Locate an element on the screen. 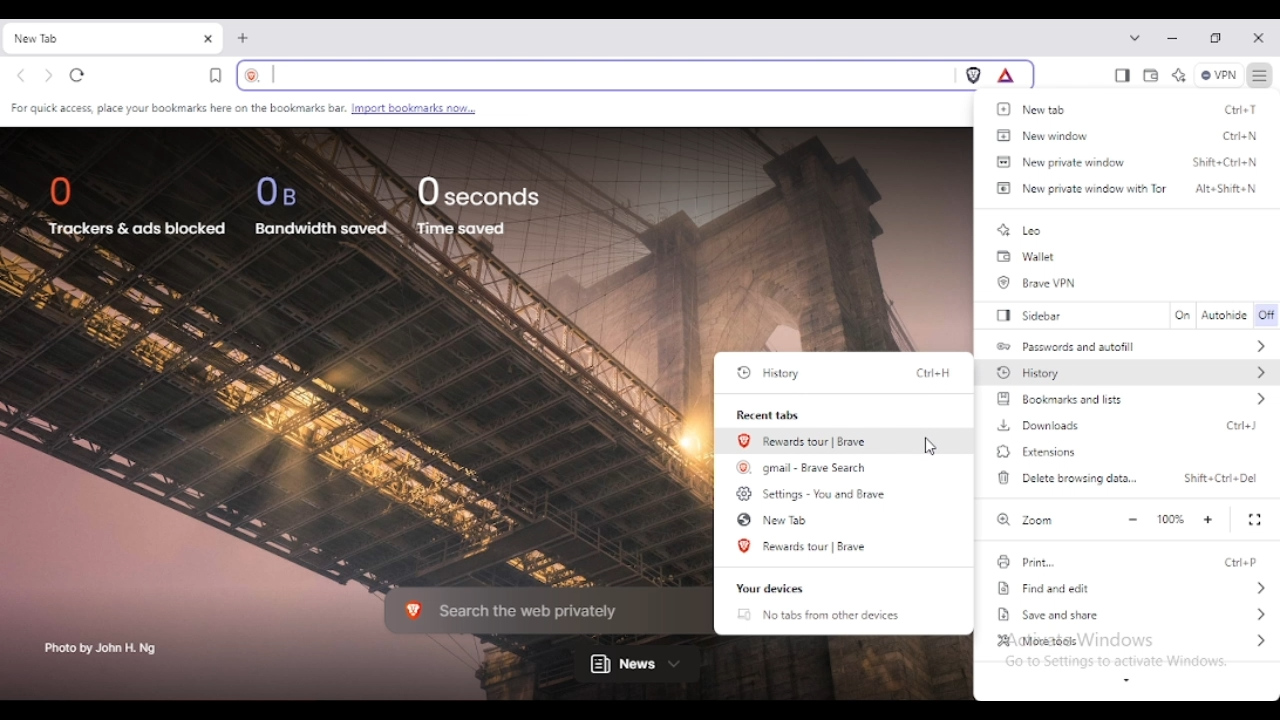  new tab is located at coordinates (244, 38).